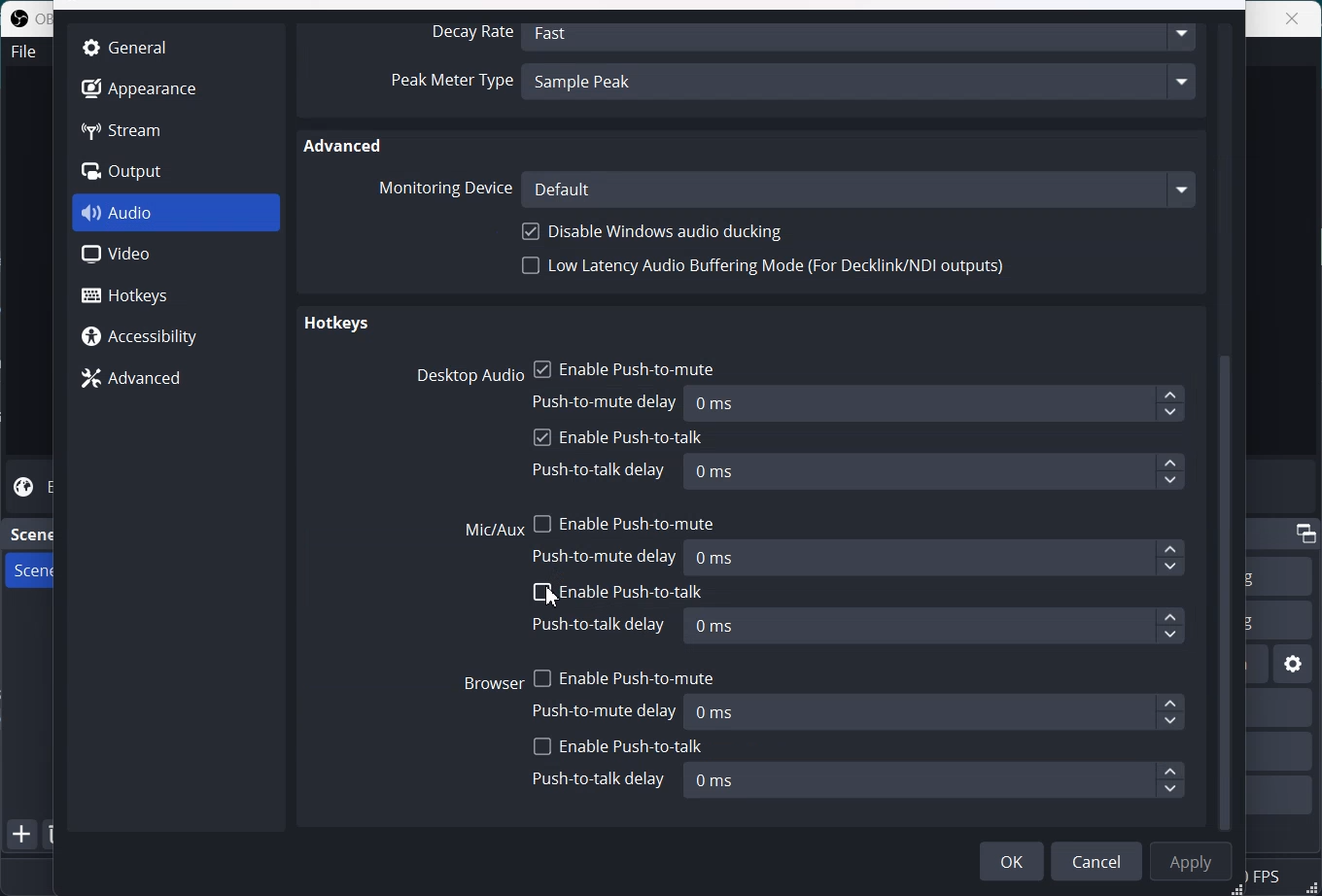  I want to click on Sample Peak, so click(862, 85).